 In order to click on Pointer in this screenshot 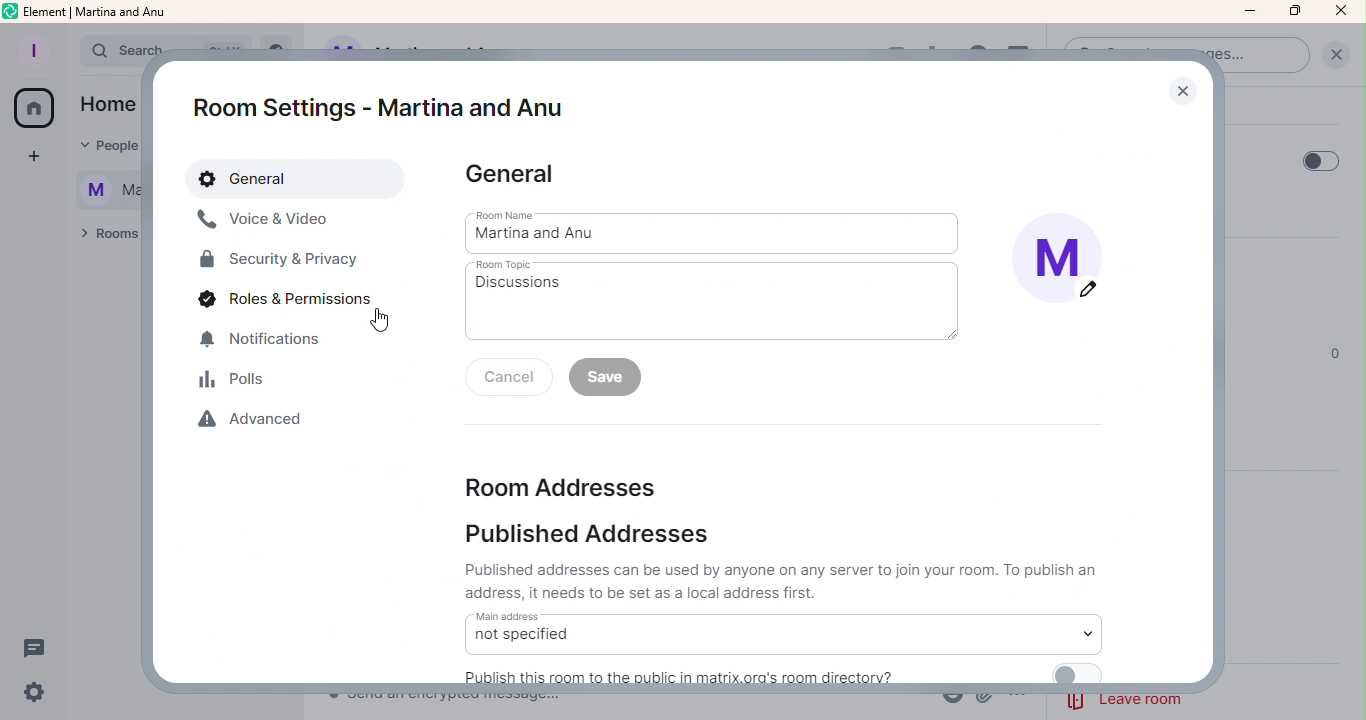, I will do `click(380, 322)`.